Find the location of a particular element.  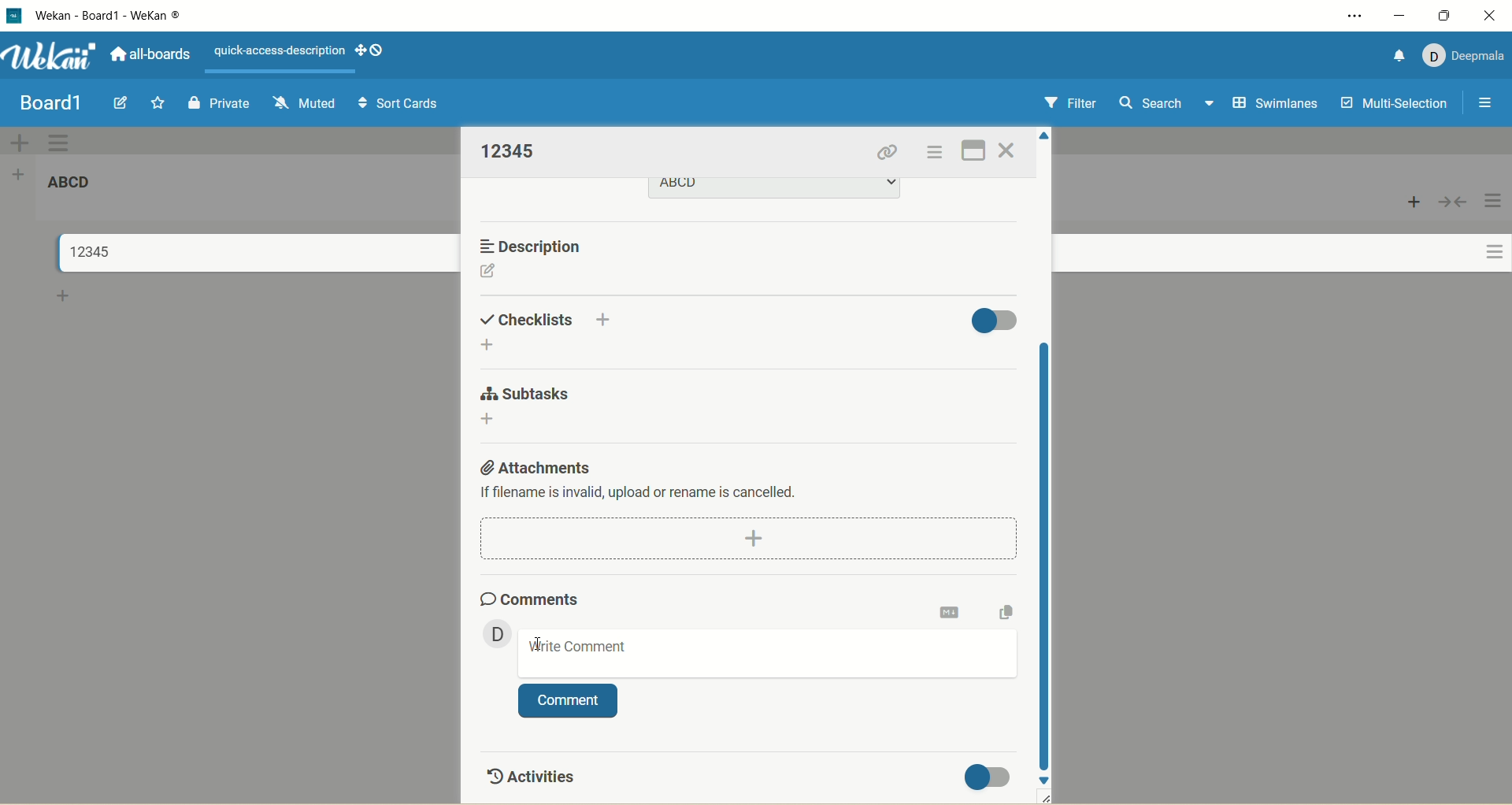

add card is located at coordinates (64, 299).